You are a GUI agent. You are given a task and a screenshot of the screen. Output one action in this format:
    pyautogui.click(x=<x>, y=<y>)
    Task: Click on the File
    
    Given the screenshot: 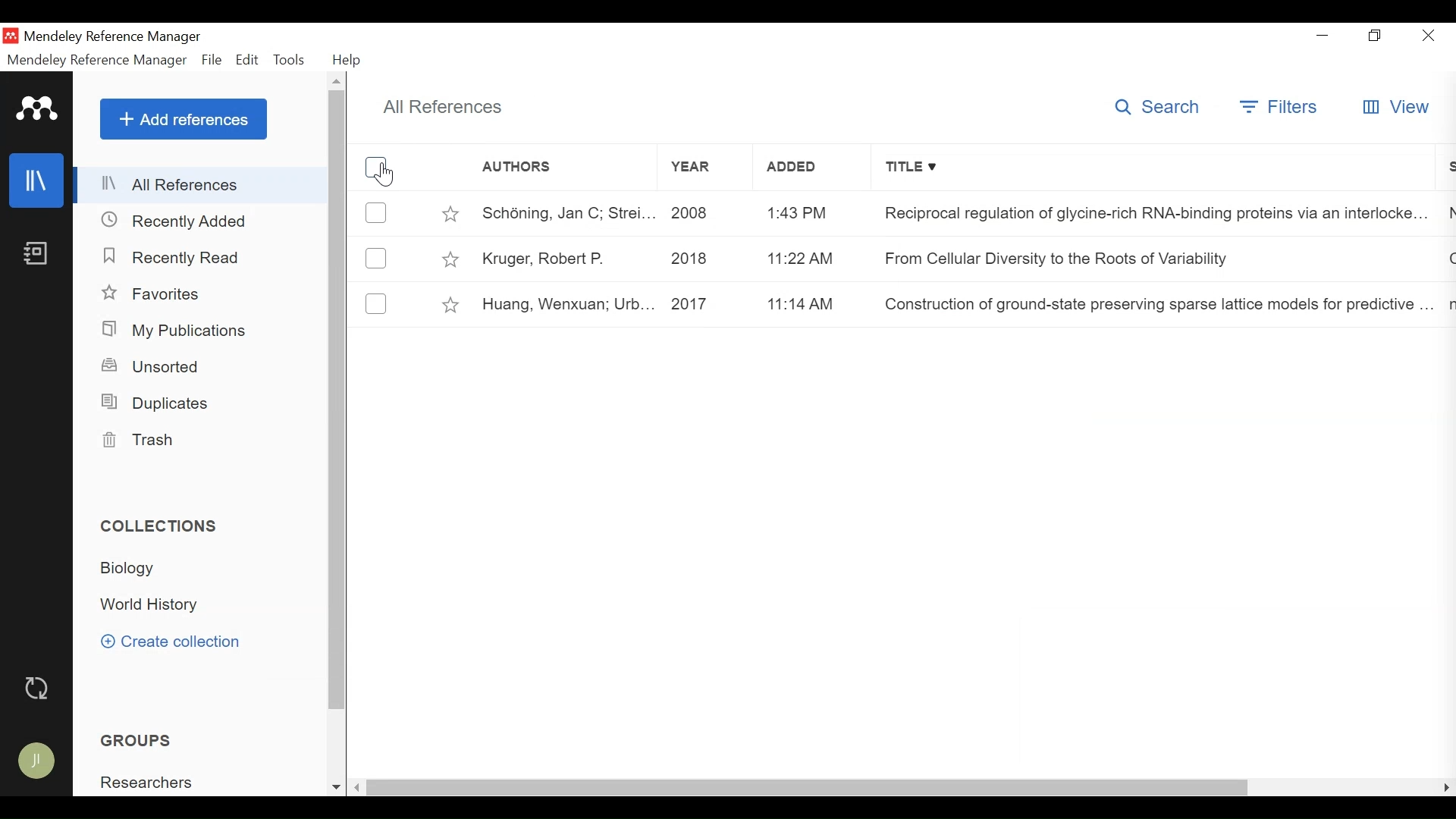 What is the action you would take?
    pyautogui.click(x=212, y=60)
    